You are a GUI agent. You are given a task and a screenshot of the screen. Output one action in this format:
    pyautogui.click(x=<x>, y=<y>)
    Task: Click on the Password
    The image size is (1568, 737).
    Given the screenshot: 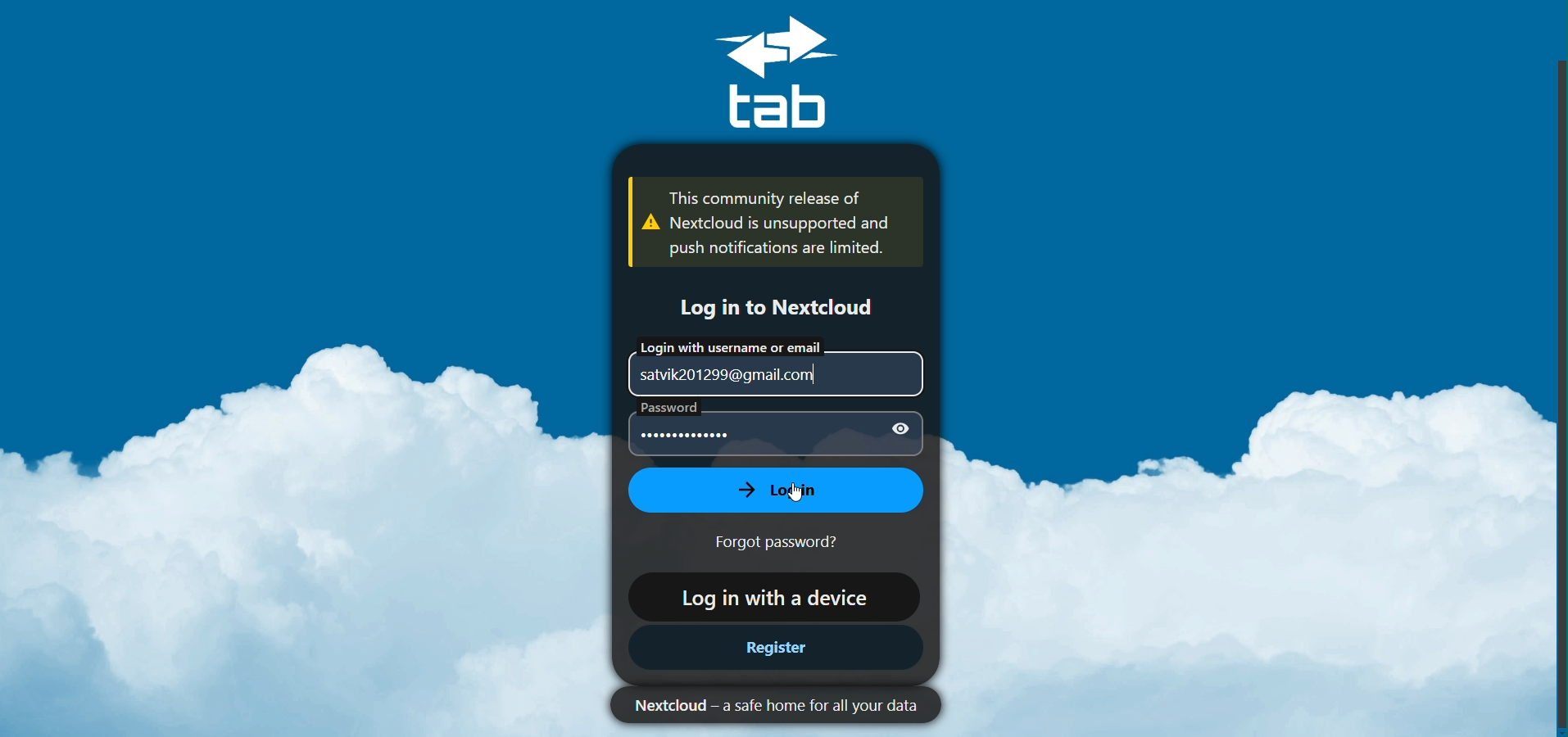 What is the action you would take?
    pyautogui.click(x=736, y=432)
    